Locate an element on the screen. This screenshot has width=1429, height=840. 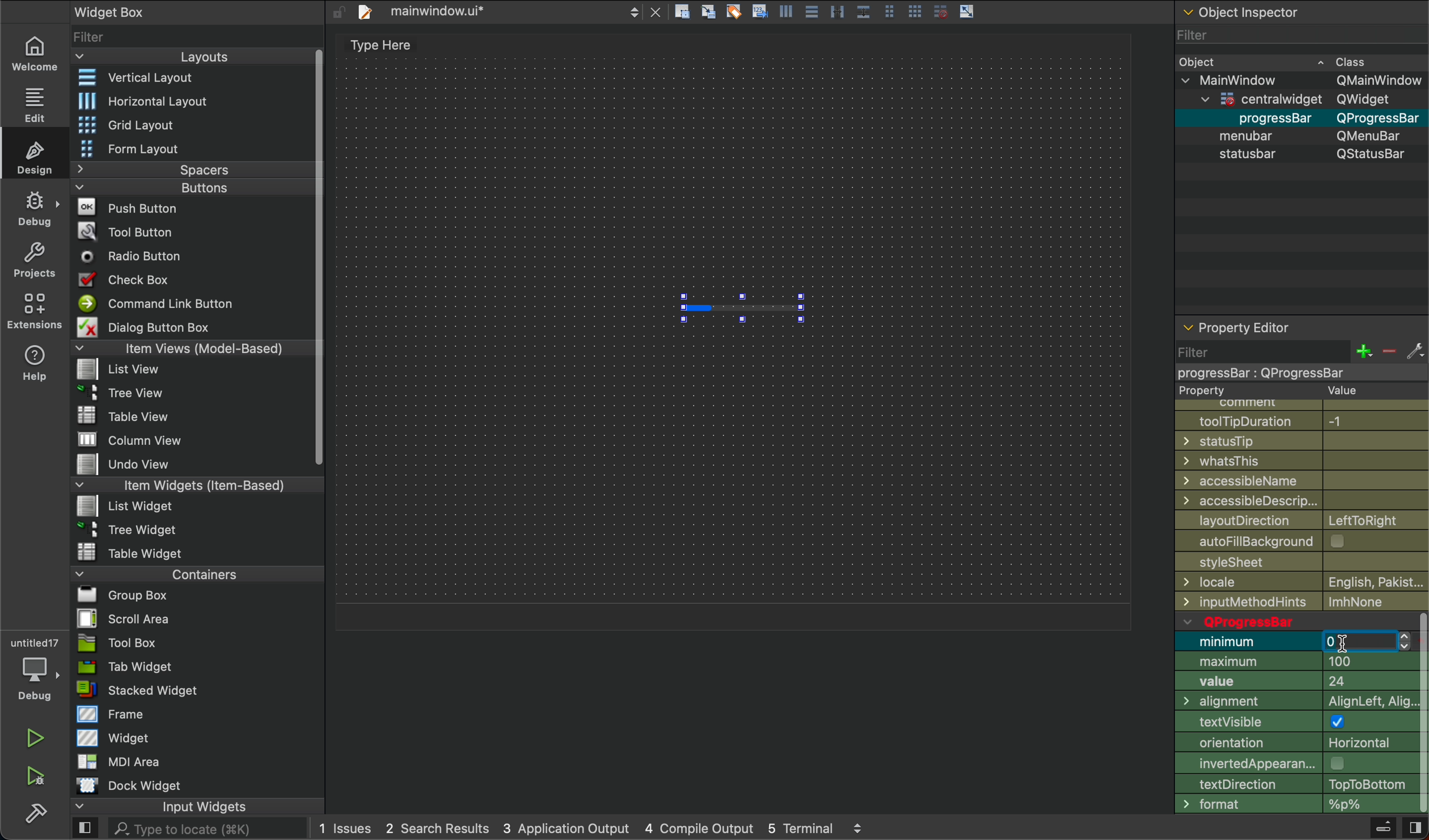
Dialog Button is located at coordinates (157, 326).